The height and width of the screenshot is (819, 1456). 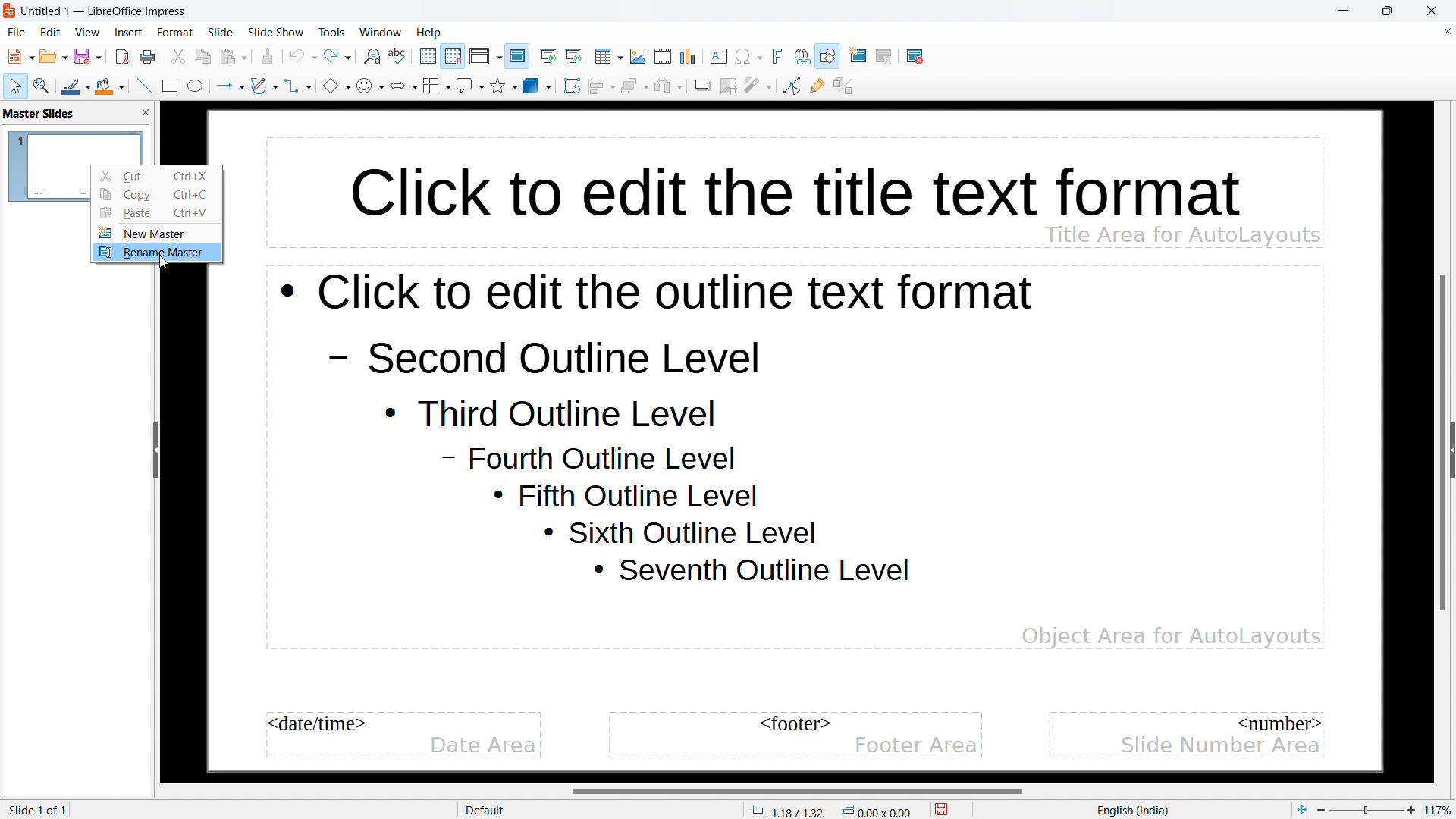 What do you see at coordinates (123, 58) in the screenshot?
I see `export directly as pdf` at bounding box center [123, 58].